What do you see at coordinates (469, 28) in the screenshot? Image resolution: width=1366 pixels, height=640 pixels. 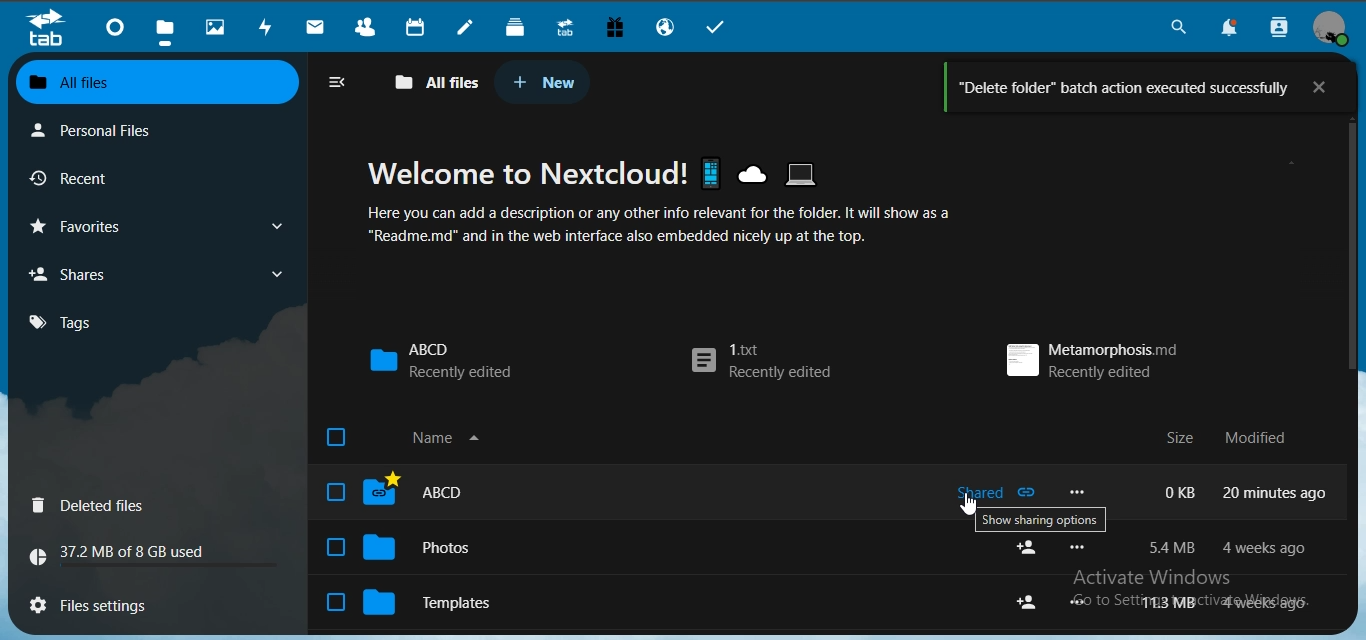 I see `notes` at bounding box center [469, 28].